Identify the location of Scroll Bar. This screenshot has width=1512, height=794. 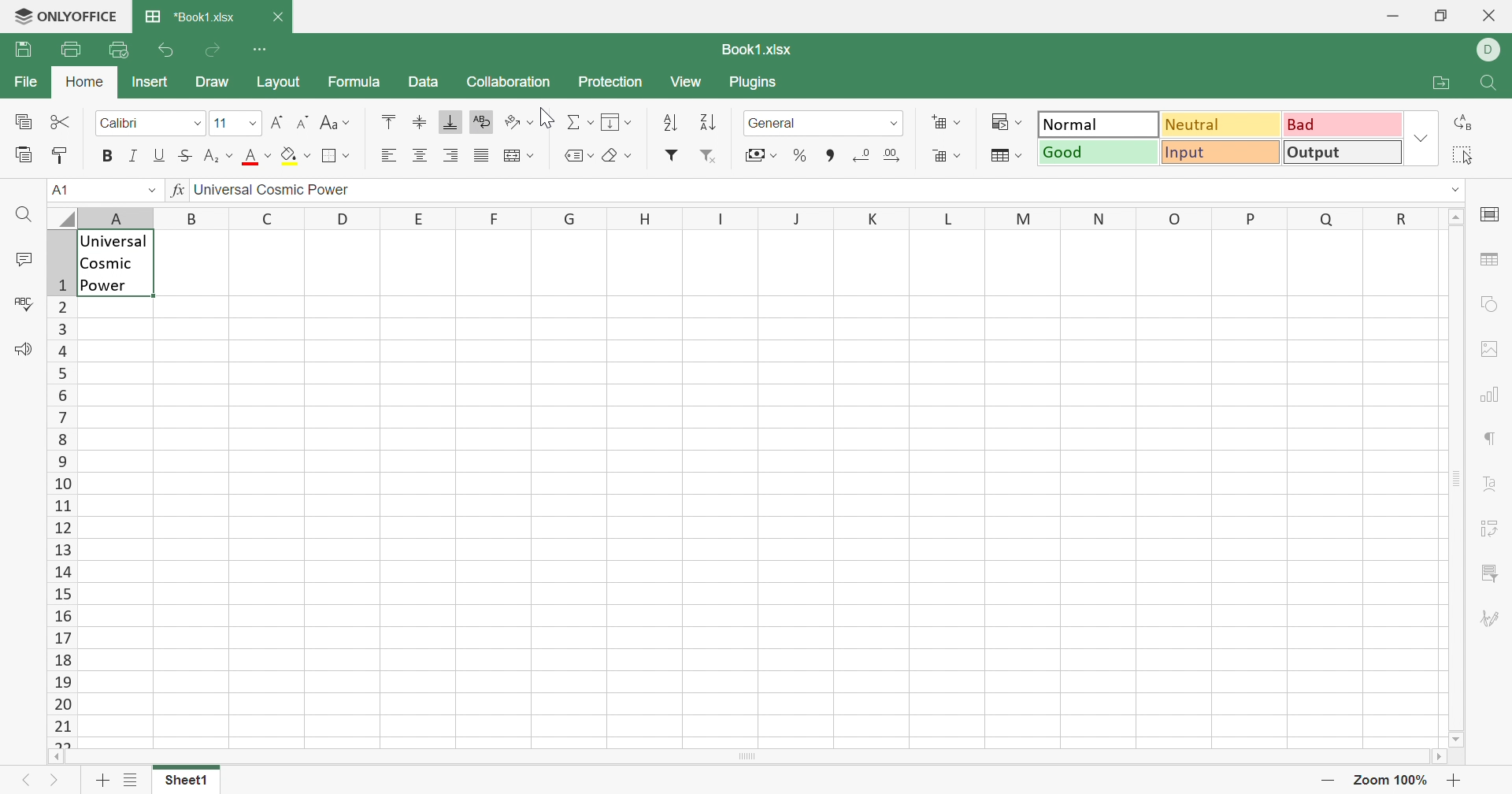
(1459, 481).